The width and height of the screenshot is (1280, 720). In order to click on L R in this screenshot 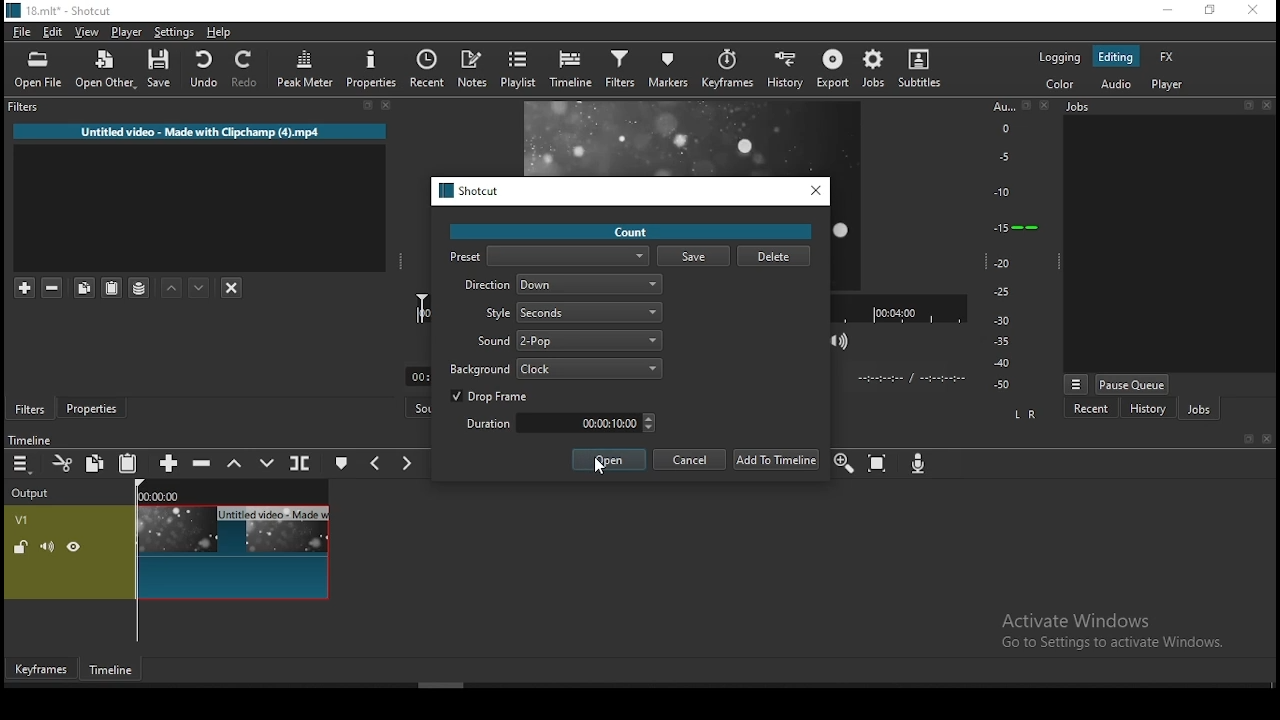, I will do `click(1030, 414)`.